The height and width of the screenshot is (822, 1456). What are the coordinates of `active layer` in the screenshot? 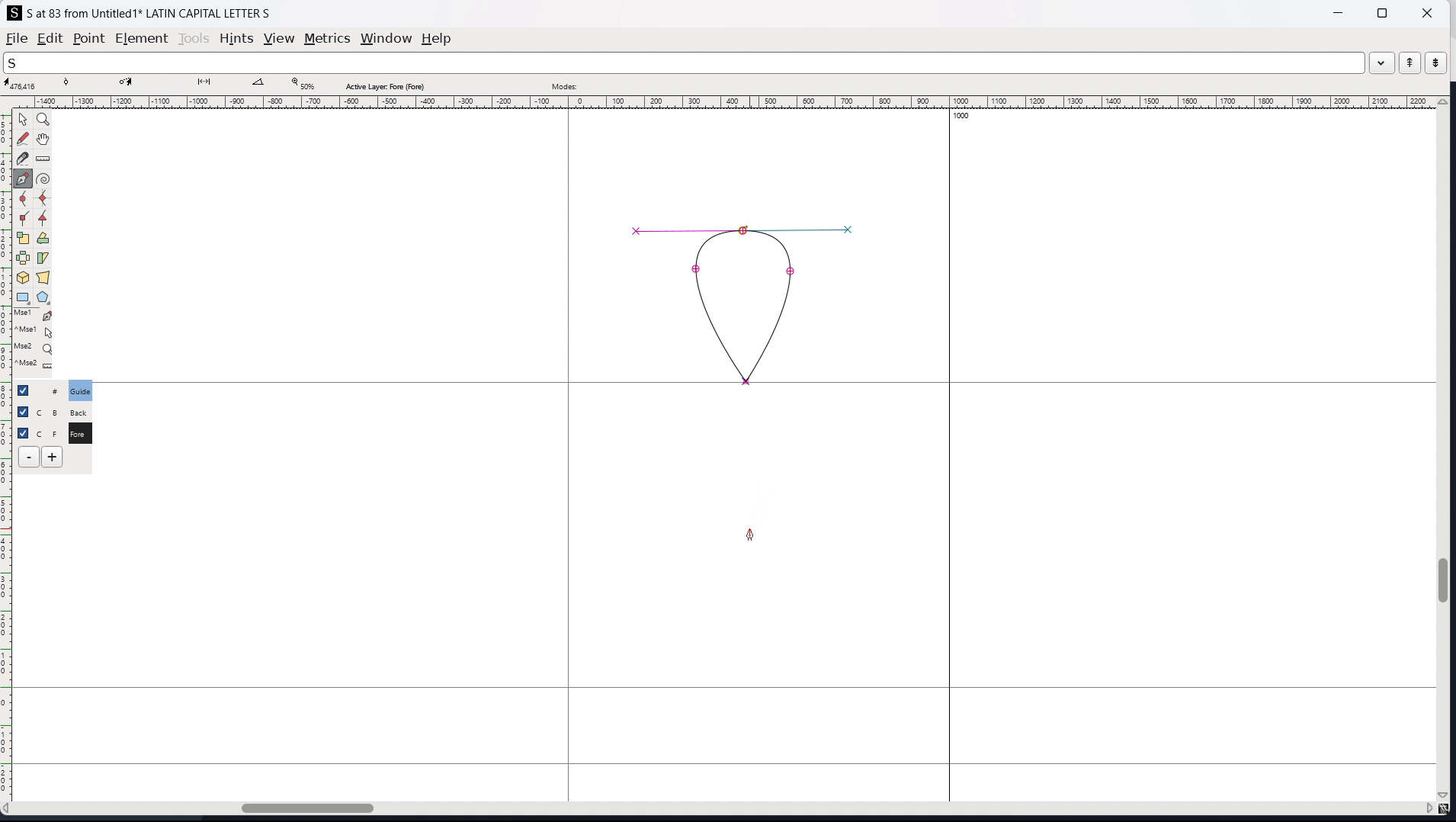 It's located at (384, 86).